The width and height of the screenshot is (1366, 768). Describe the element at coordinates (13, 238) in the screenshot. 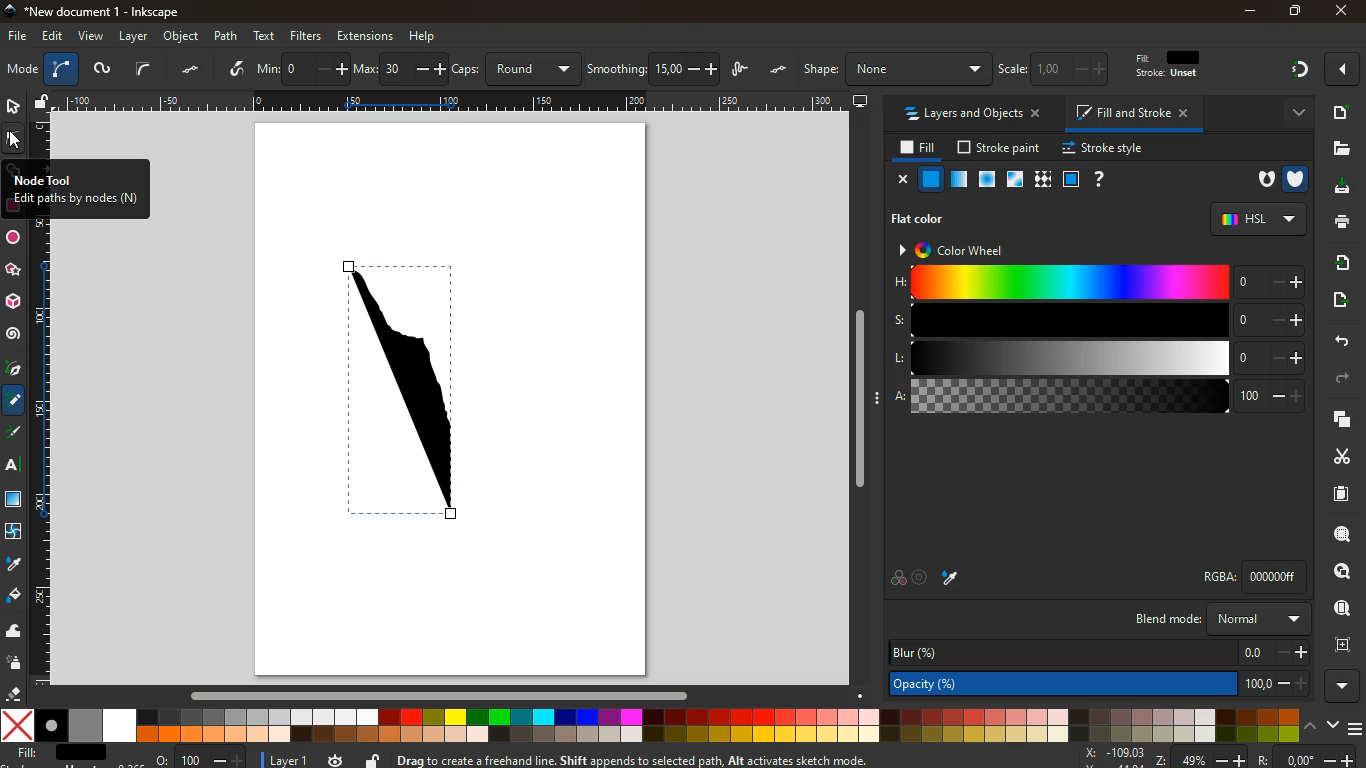

I see `circle` at that location.